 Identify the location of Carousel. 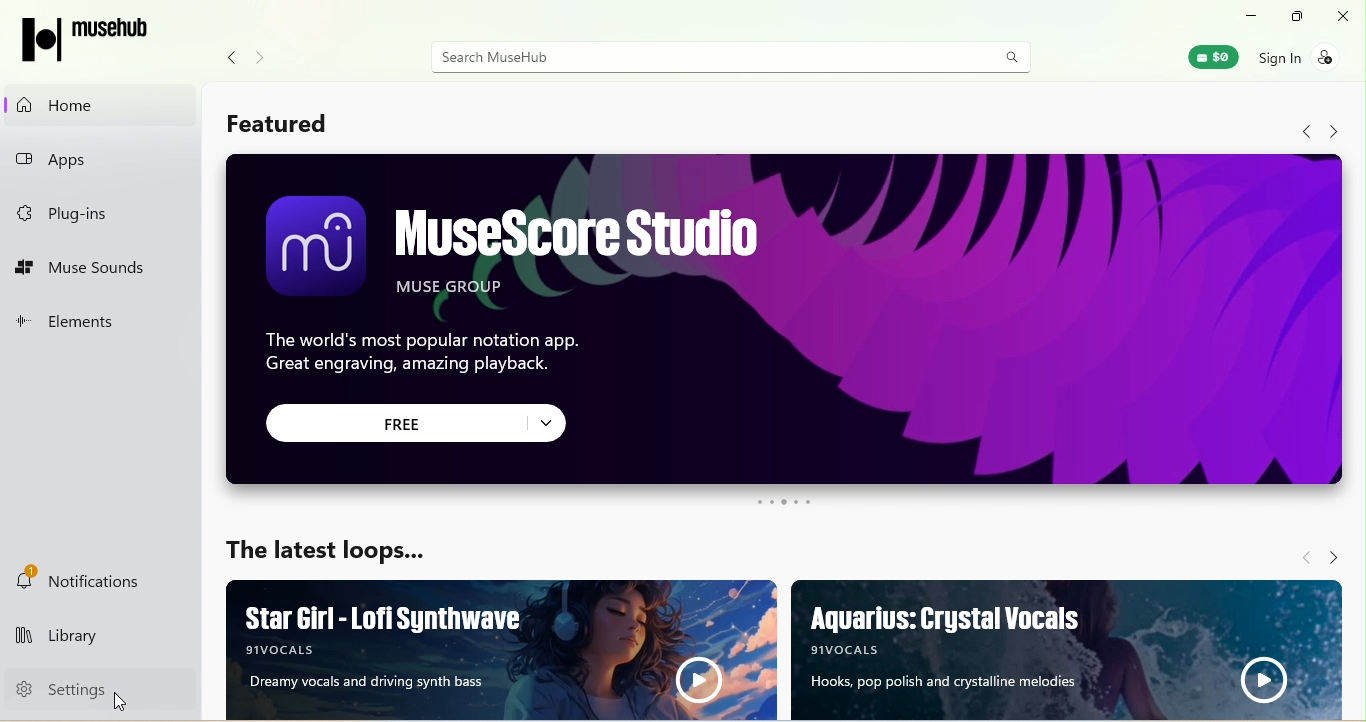
(786, 502).